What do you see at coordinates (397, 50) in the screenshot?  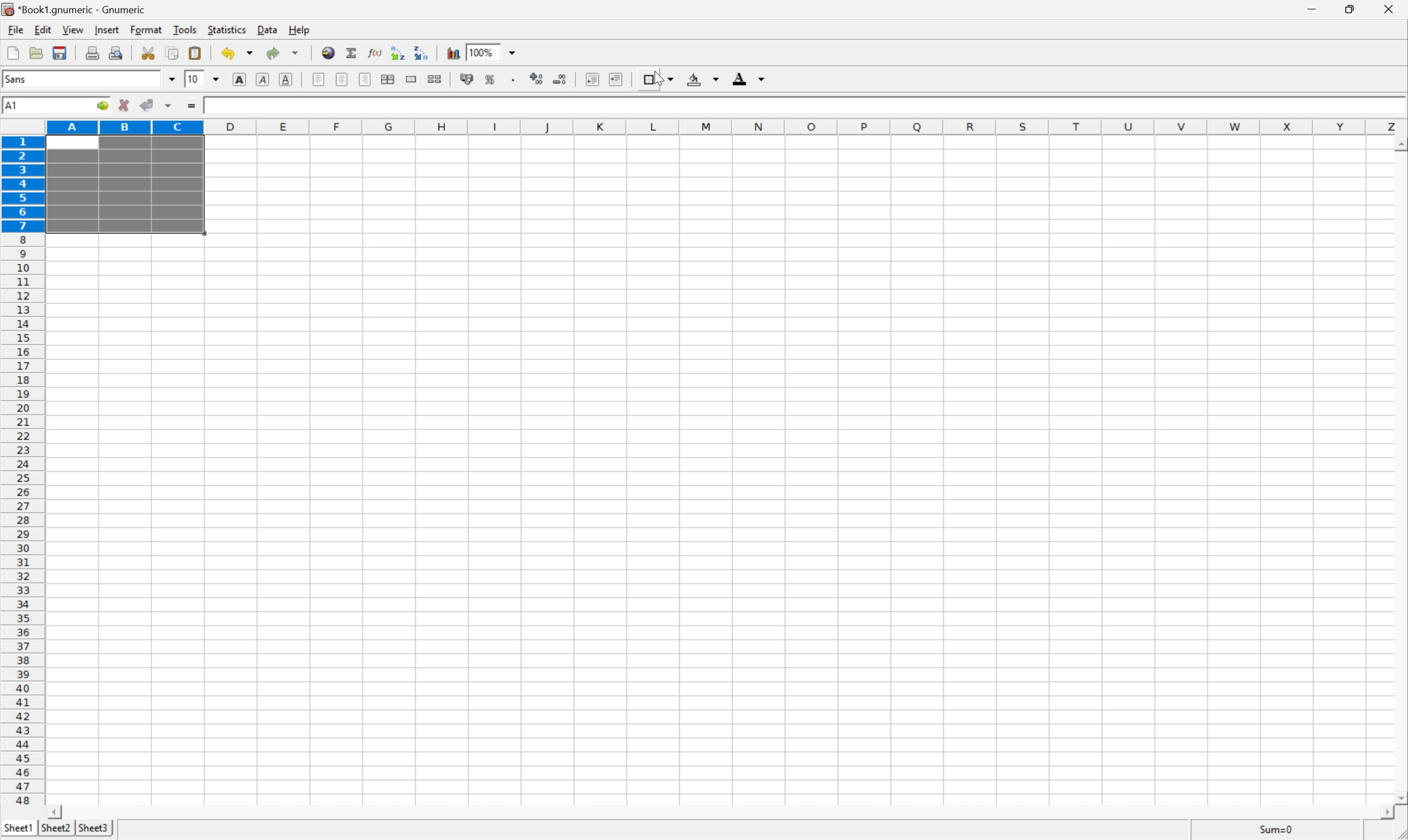 I see `Sort the selected region in ascending order based on the first column selected` at bounding box center [397, 50].